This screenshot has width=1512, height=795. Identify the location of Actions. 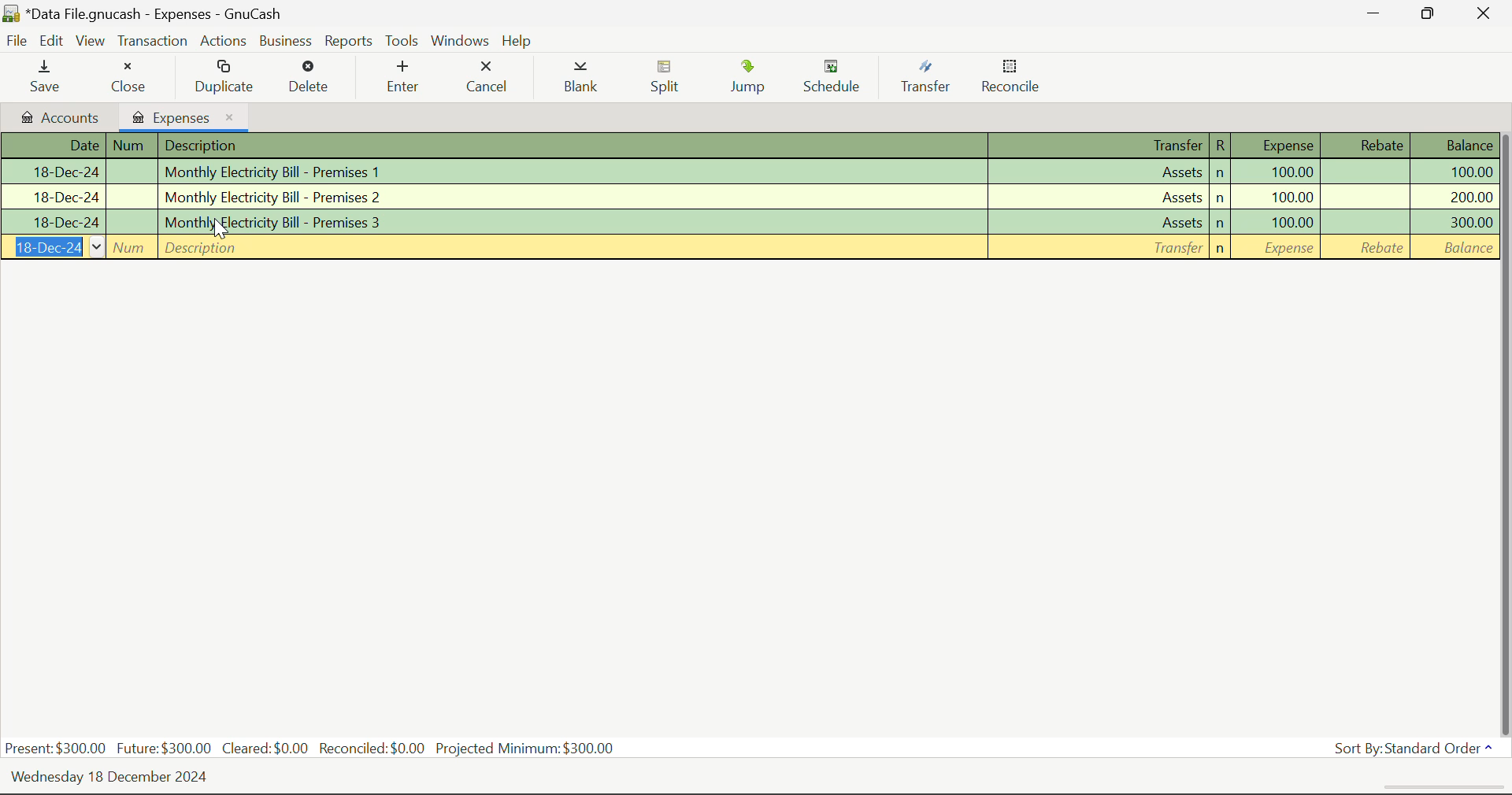
(223, 41).